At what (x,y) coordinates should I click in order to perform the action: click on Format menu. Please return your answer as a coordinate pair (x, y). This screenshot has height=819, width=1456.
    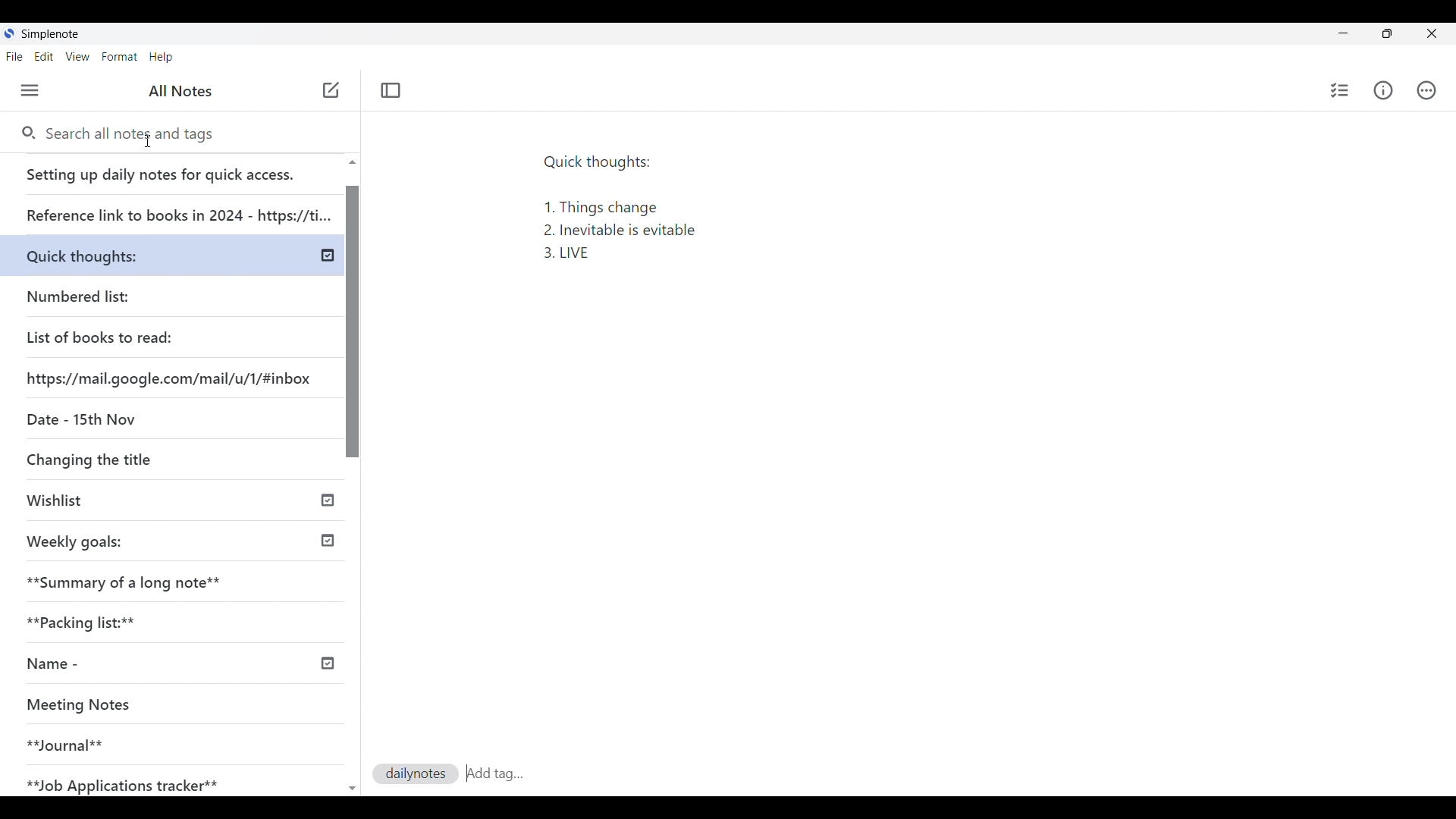
    Looking at the image, I should click on (120, 57).